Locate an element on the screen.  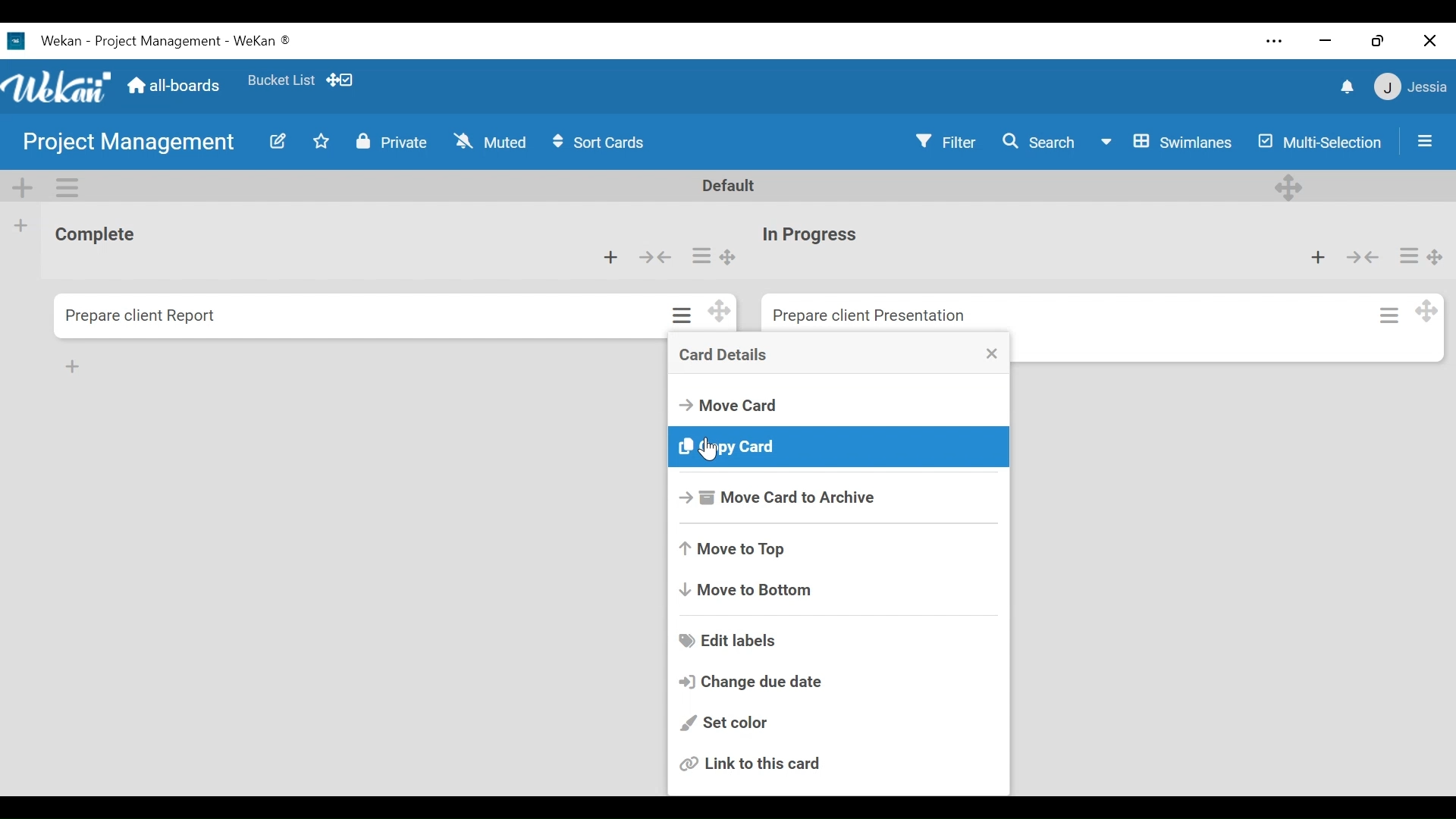
Move Card is located at coordinates (731, 405).